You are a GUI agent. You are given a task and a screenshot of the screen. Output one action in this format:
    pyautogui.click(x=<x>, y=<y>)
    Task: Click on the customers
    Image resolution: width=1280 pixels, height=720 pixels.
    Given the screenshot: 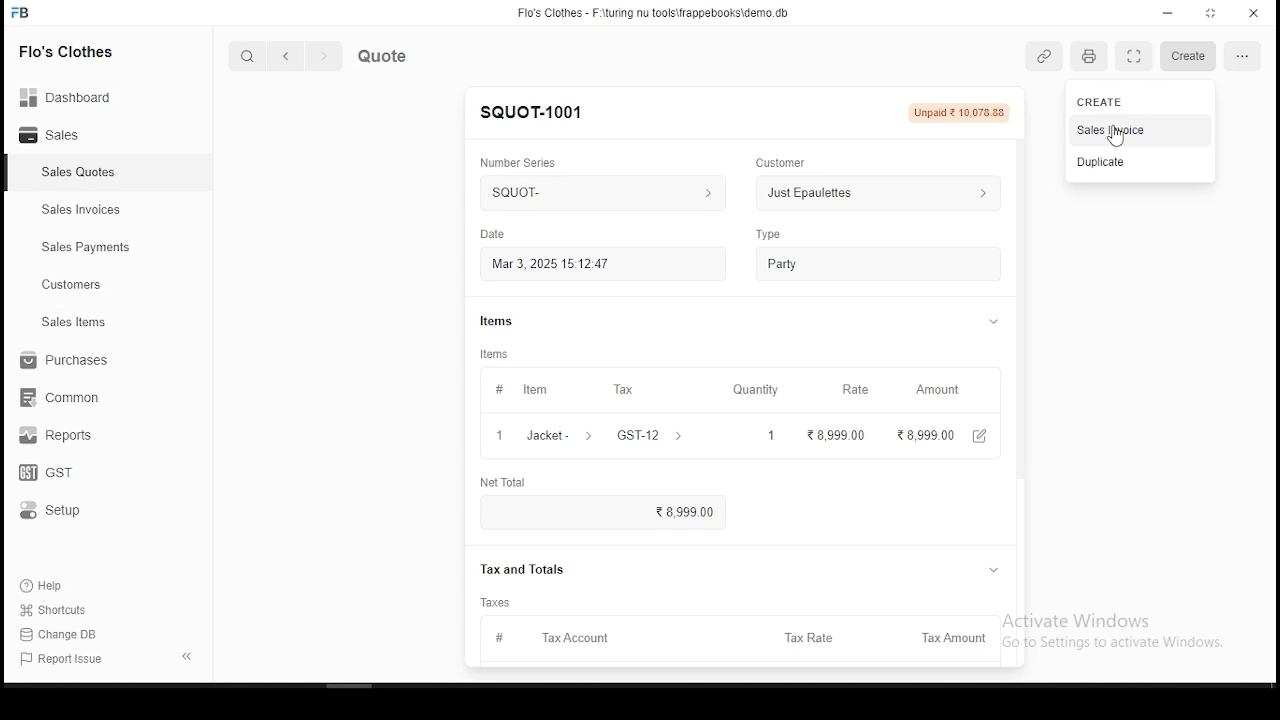 What is the action you would take?
    pyautogui.click(x=75, y=285)
    